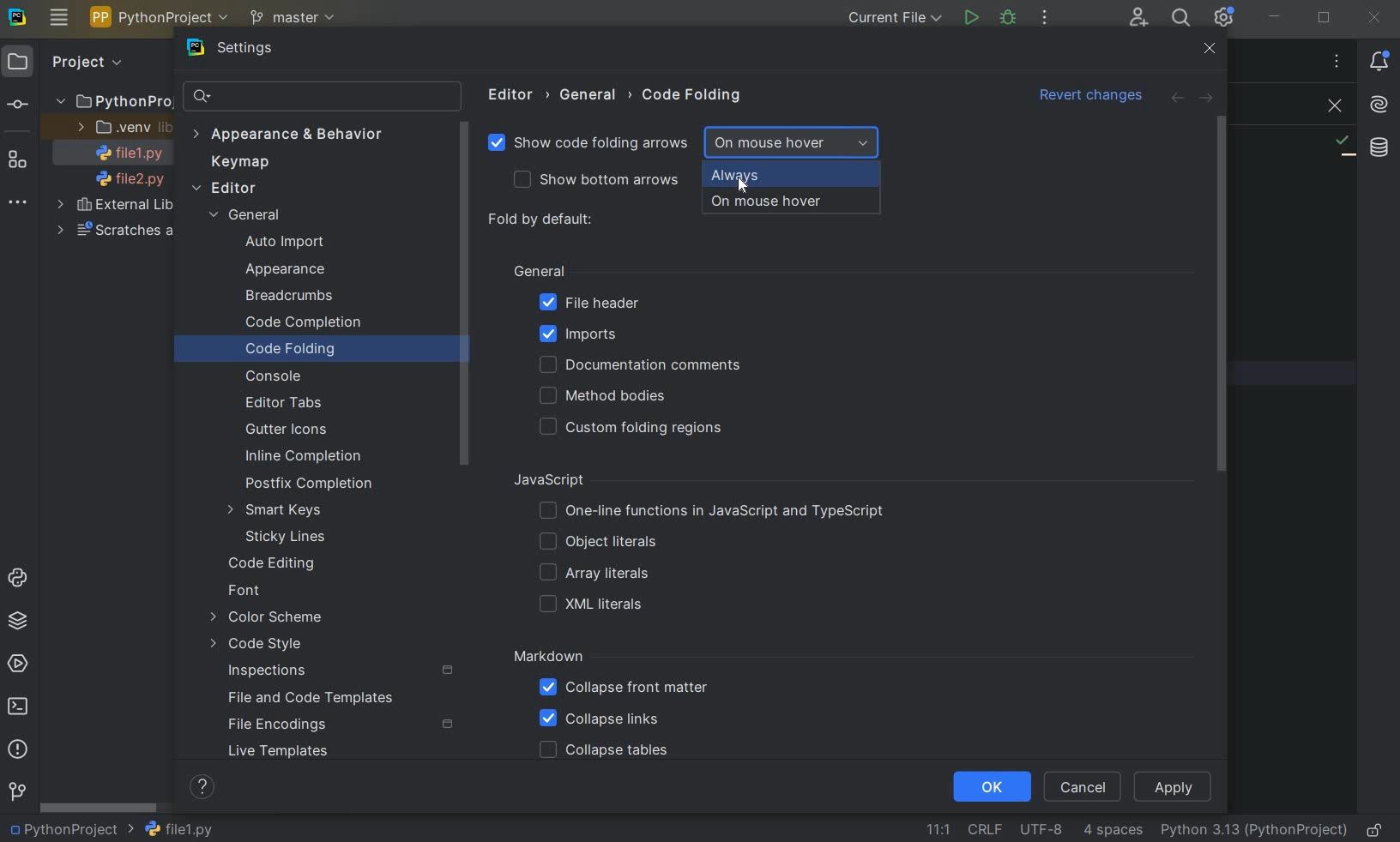 The width and height of the screenshot is (1400, 842). I want to click on PPLY, so click(1175, 786).